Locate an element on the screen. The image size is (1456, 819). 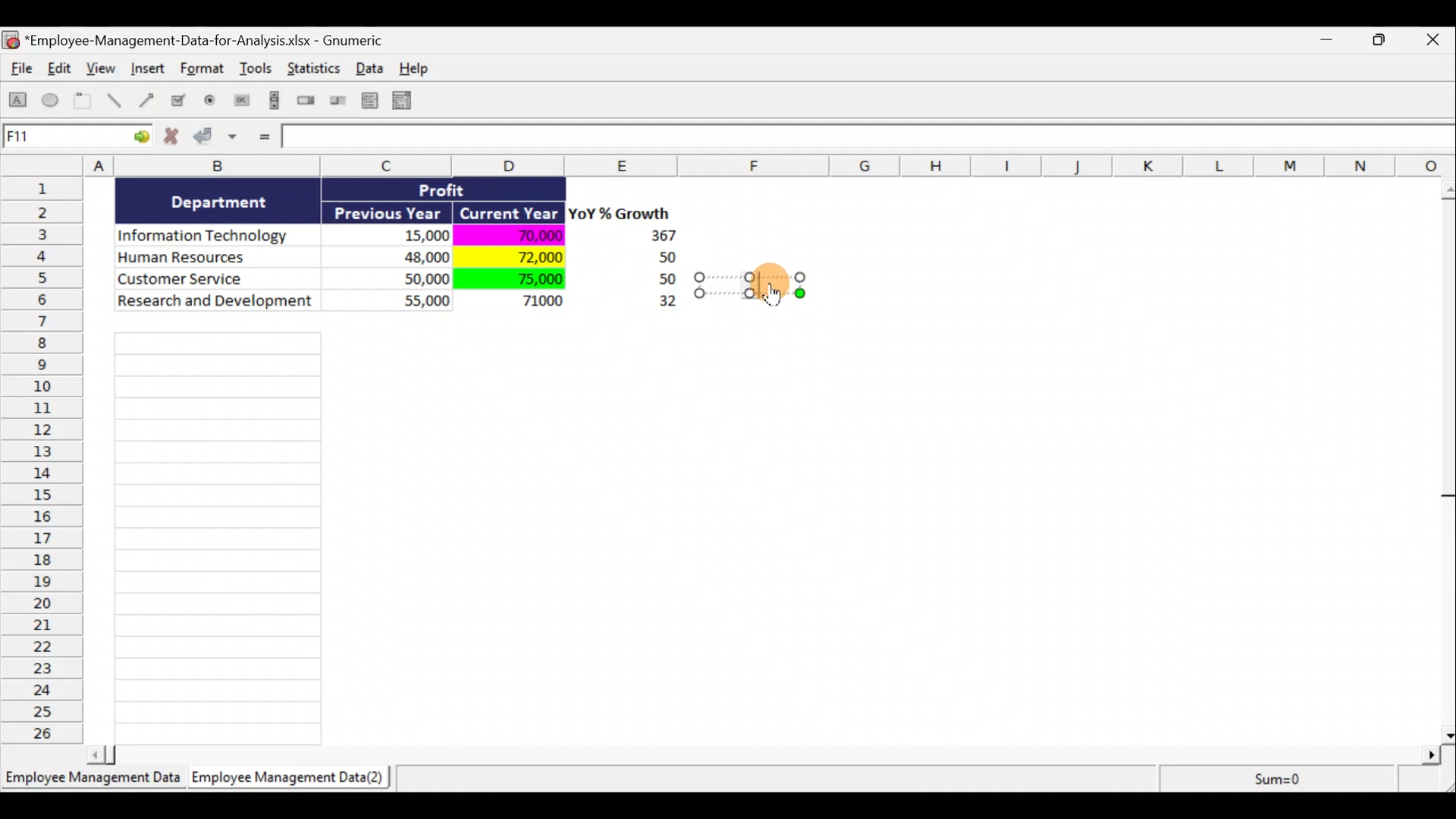
Sum=0 is located at coordinates (1275, 779).